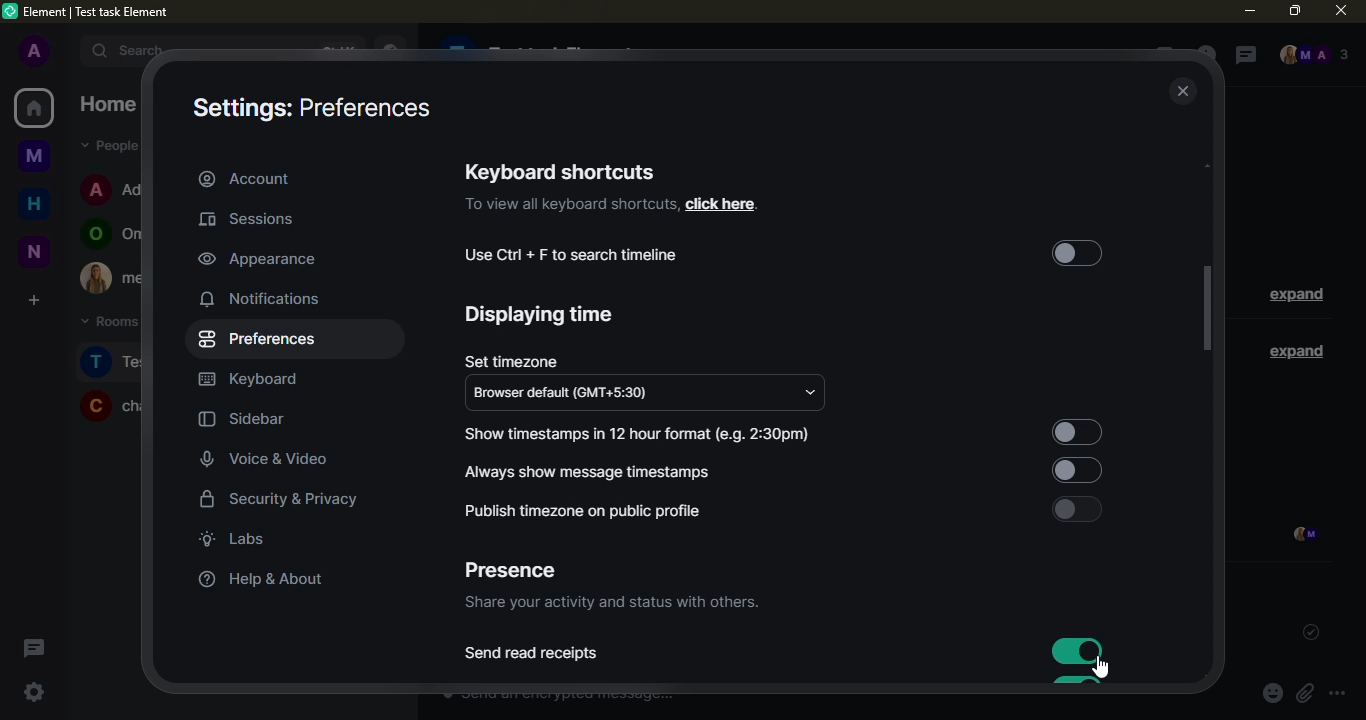 The width and height of the screenshot is (1366, 720). Describe the element at coordinates (610, 604) in the screenshot. I see `info` at that location.